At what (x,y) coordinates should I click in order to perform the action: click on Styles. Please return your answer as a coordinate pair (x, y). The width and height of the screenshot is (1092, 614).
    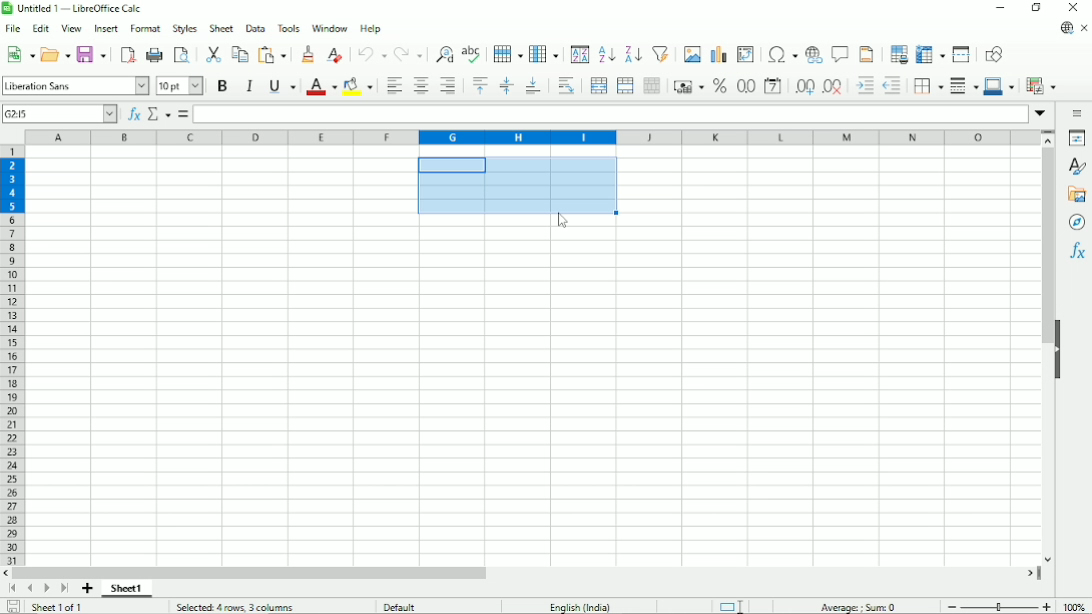
    Looking at the image, I should click on (184, 28).